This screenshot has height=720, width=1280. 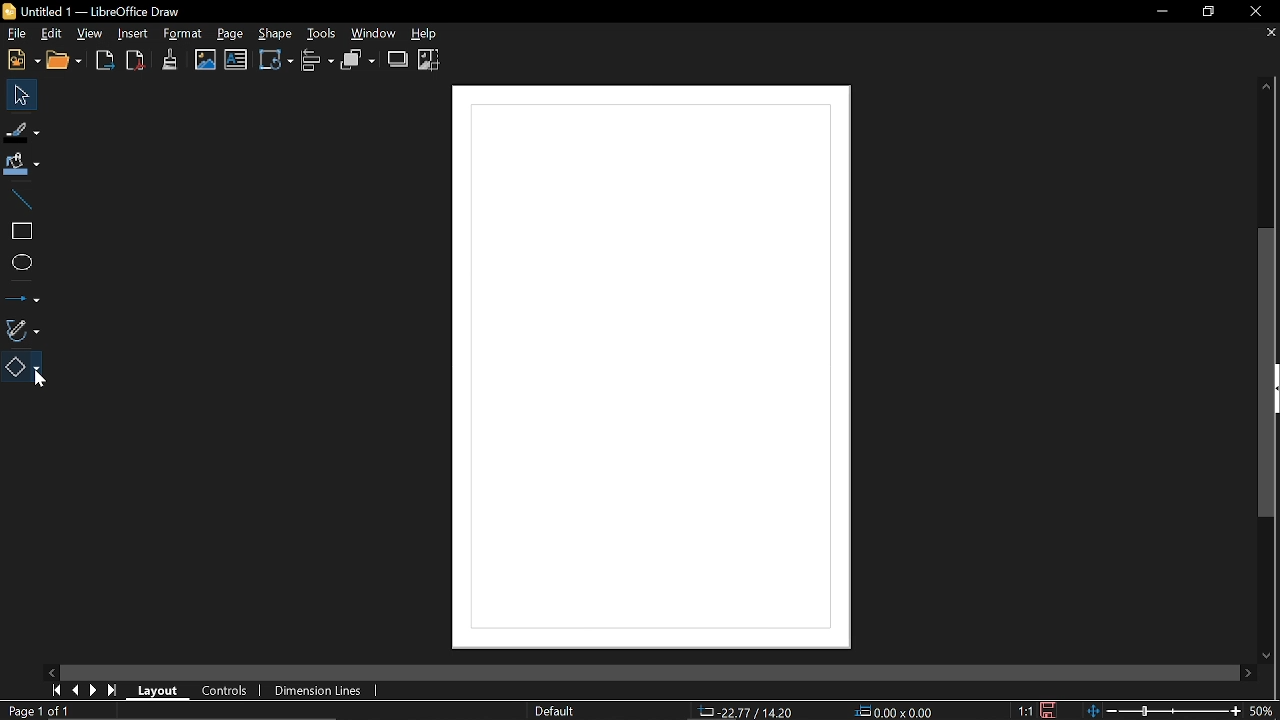 What do you see at coordinates (1263, 710) in the screenshot?
I see `Zoom` at bounding box center [1263, 710].